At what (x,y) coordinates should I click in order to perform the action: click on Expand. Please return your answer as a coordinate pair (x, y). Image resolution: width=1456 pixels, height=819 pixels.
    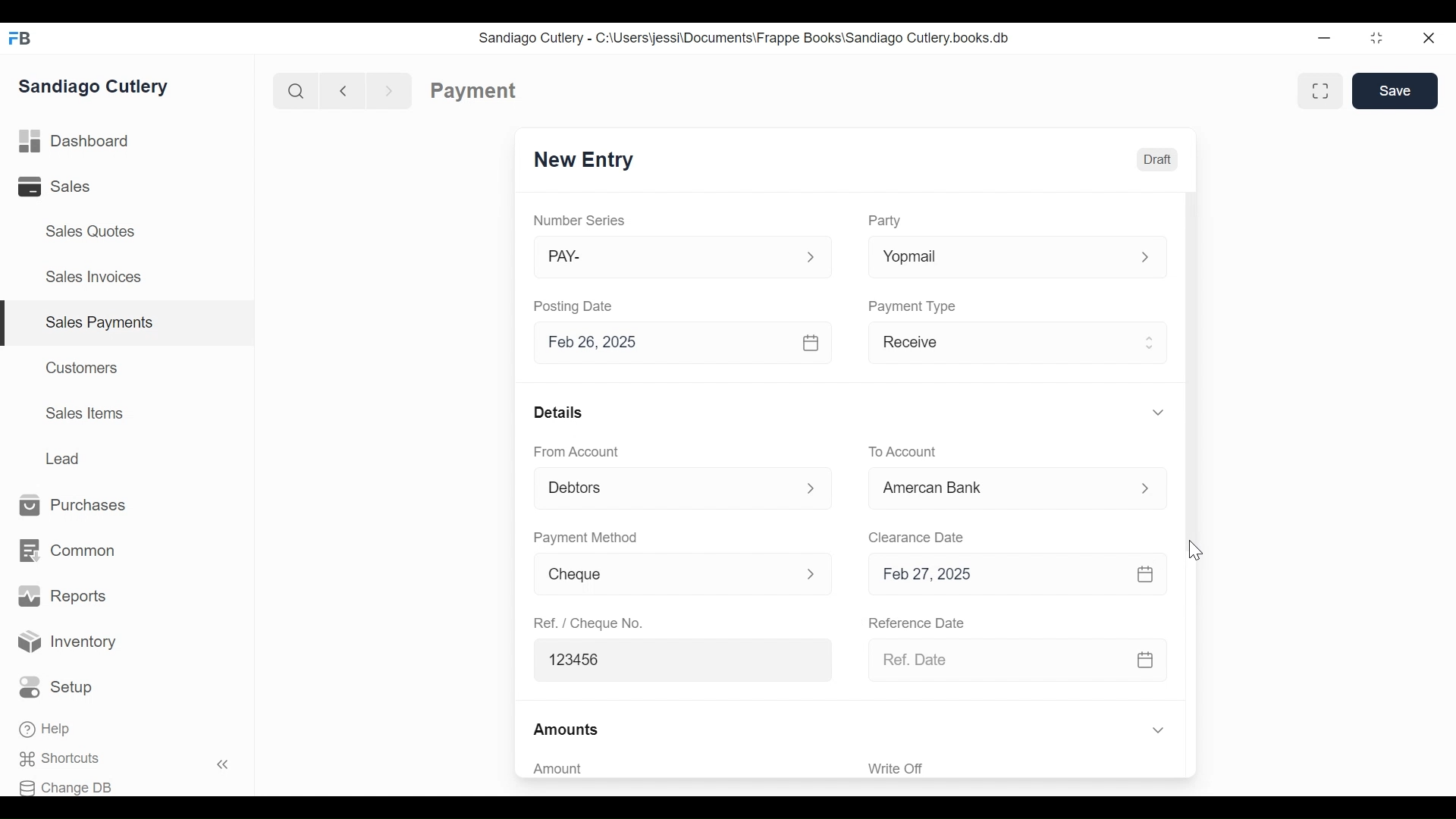
    Looking at the image, I should click on (1157, 412).